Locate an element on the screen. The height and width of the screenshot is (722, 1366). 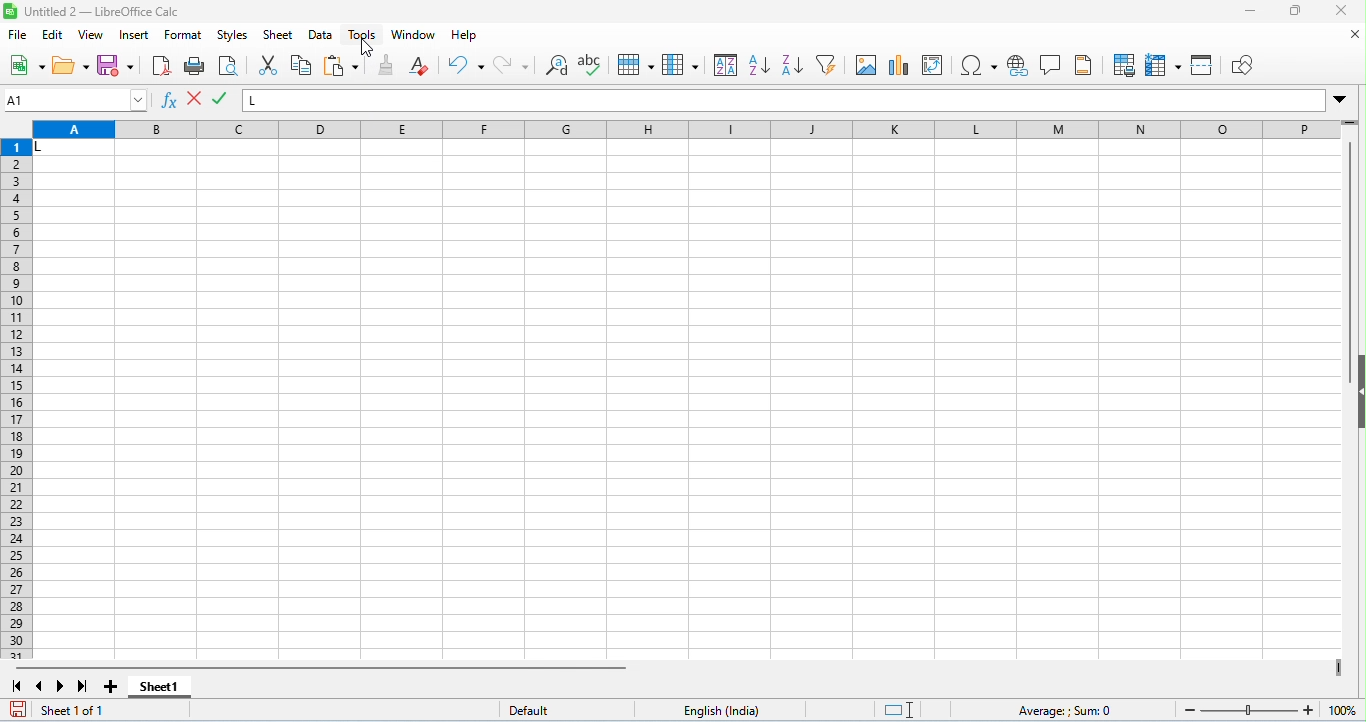
row is located at coordinates (635, 65).